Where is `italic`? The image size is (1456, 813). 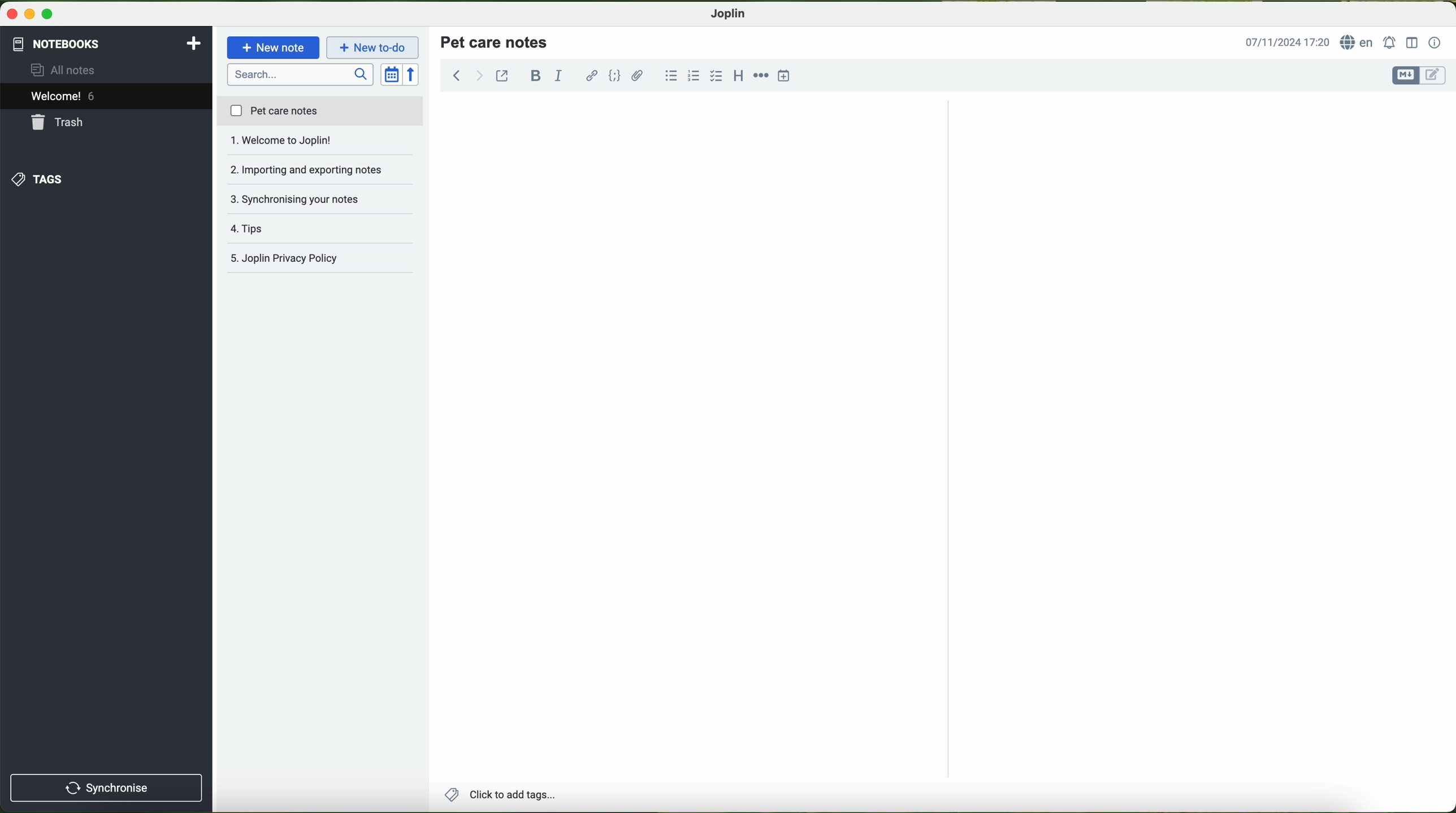
italic is located at coordinates (557, 76).